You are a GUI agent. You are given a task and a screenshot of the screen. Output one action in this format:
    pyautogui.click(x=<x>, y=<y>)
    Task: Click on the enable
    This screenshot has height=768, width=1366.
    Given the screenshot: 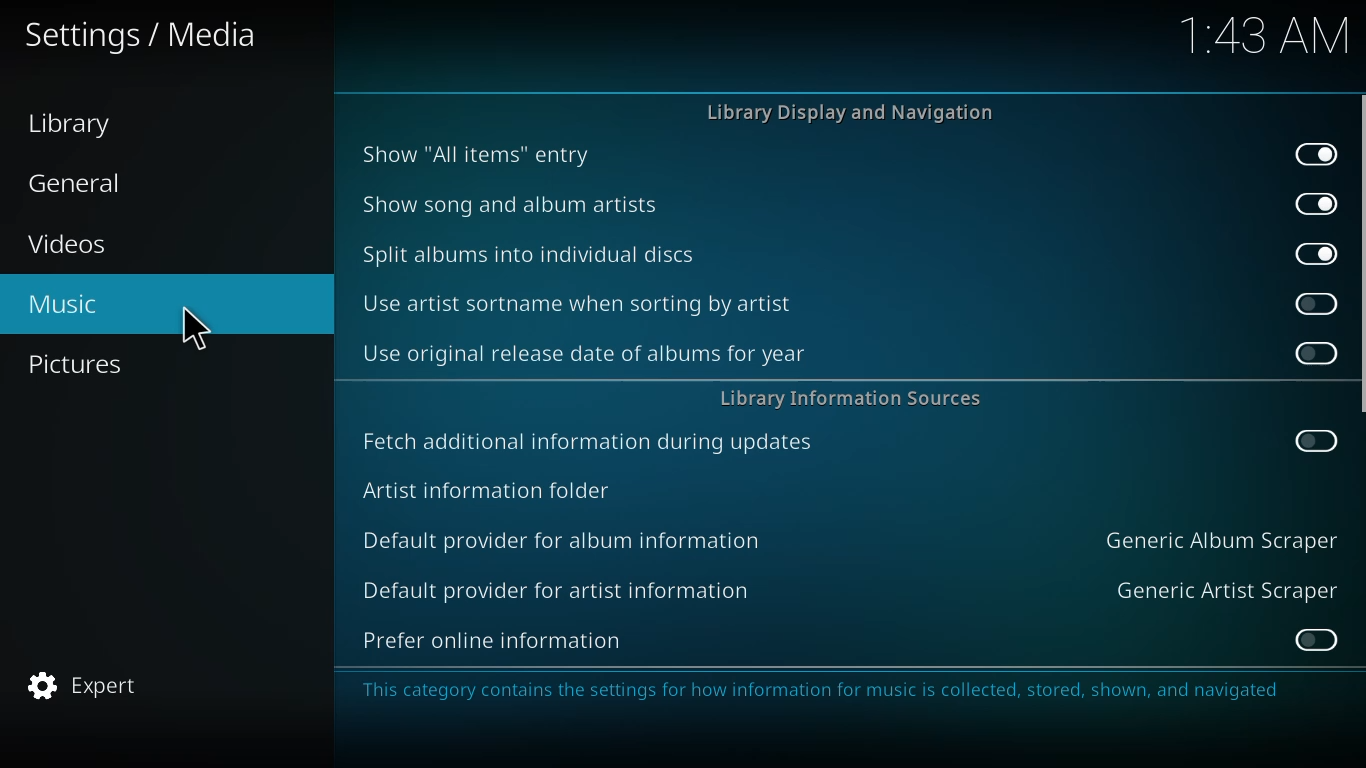 What is the action you would take?
    pyautogui.click(x=1314, y=439)
    